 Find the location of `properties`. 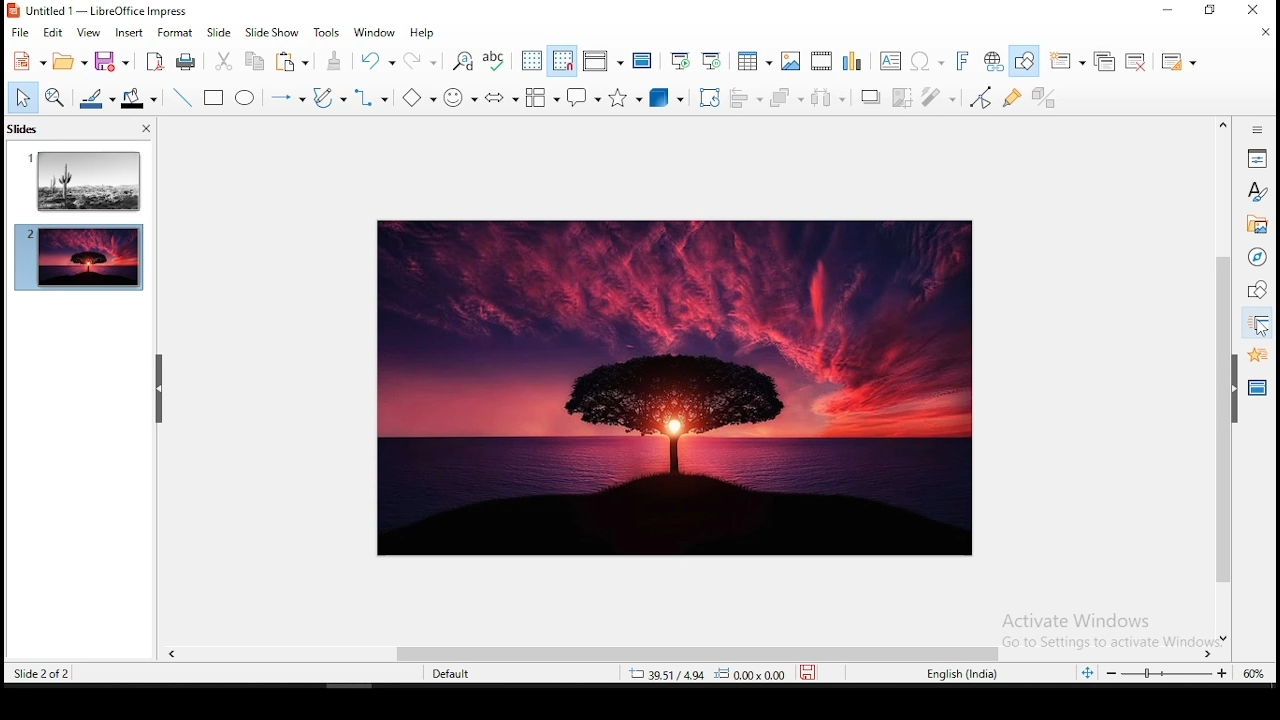

properties is located at coordinates (1255, 160).